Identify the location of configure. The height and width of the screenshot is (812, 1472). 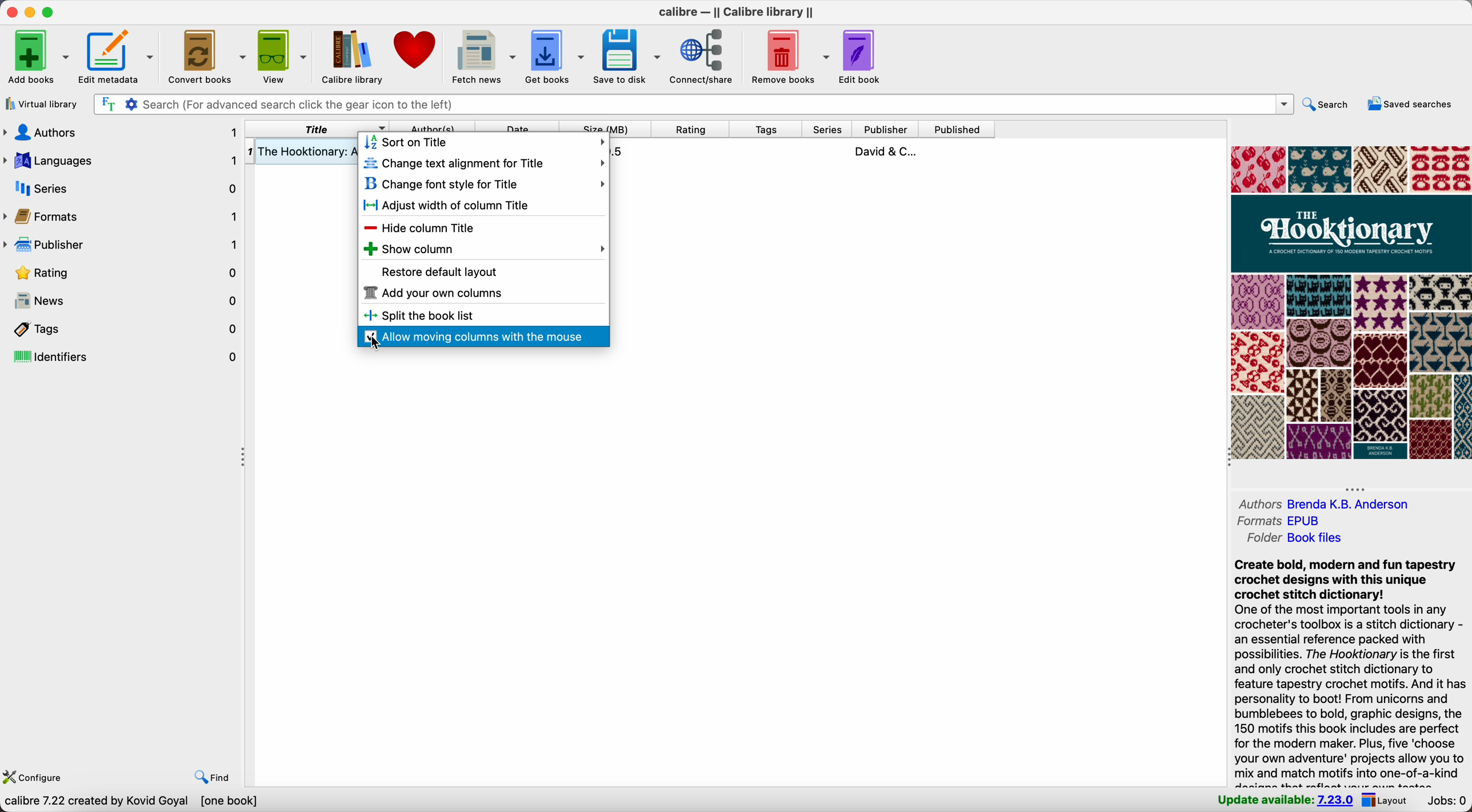
(34, 777).